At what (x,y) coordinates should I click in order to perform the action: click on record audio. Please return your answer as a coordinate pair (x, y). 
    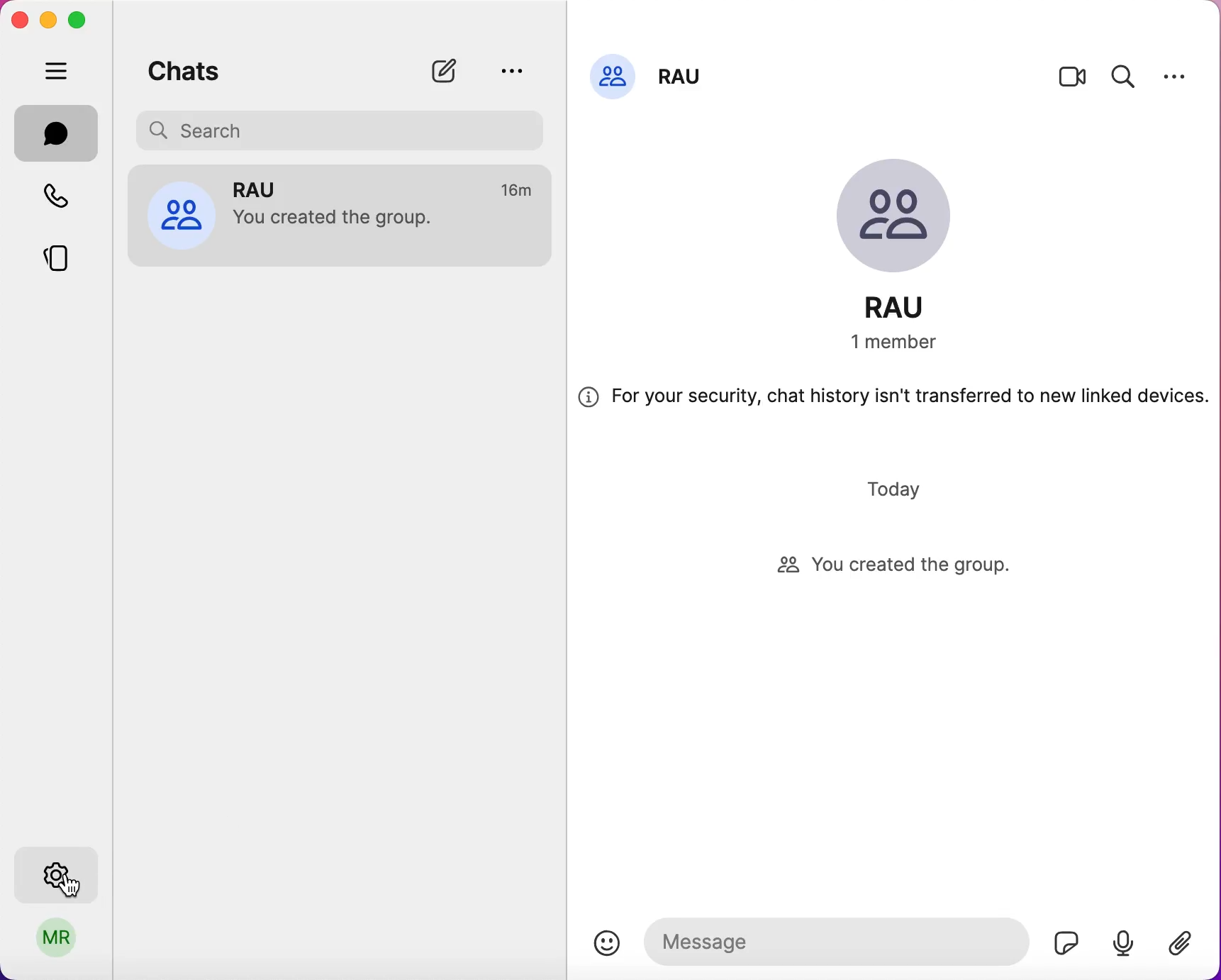
    Looking at the image, I should click on (1122, 942).